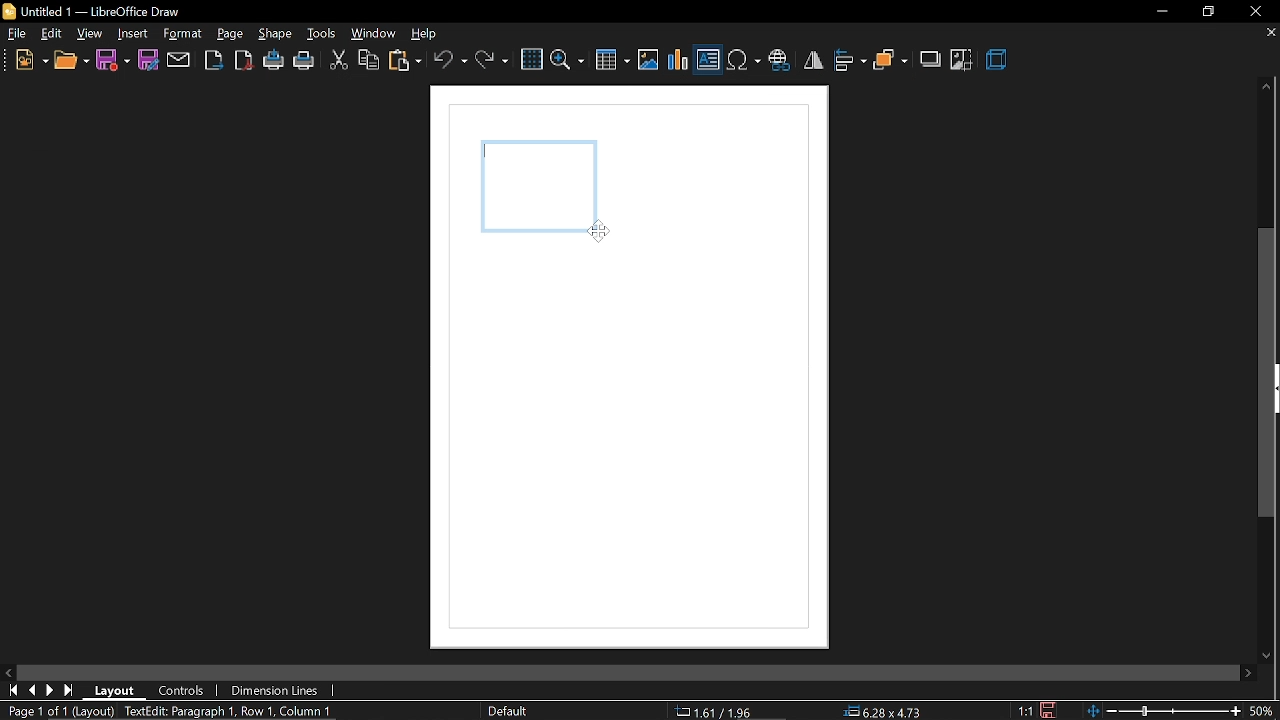 The width and height of the screenshot is (1280, 720). What do you see at coordinates (148, 60) in the screenshot?
I see `save as` at bounding box center [148, 60].